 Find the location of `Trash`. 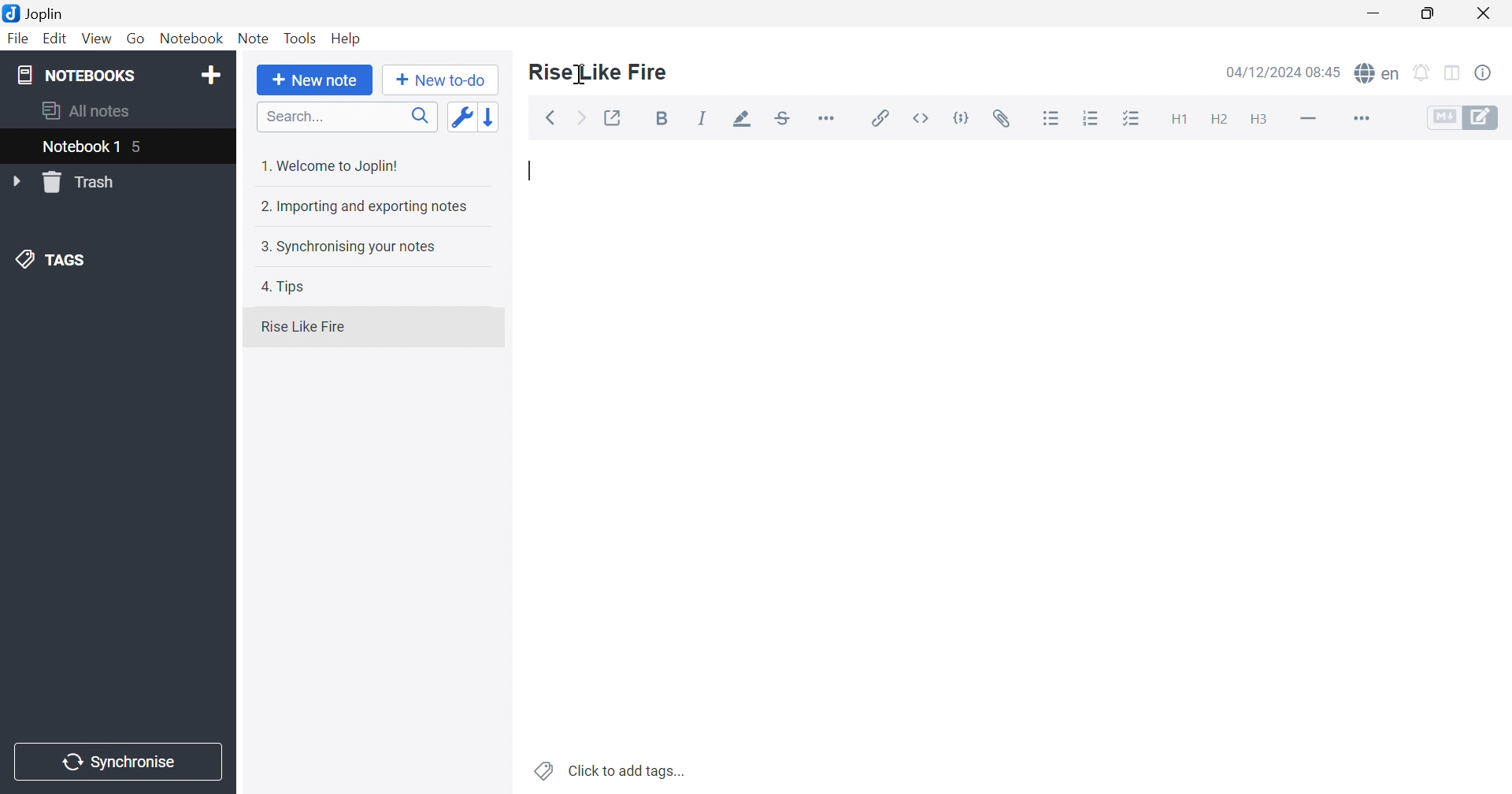

Trash is located at coordinates (81, 184).